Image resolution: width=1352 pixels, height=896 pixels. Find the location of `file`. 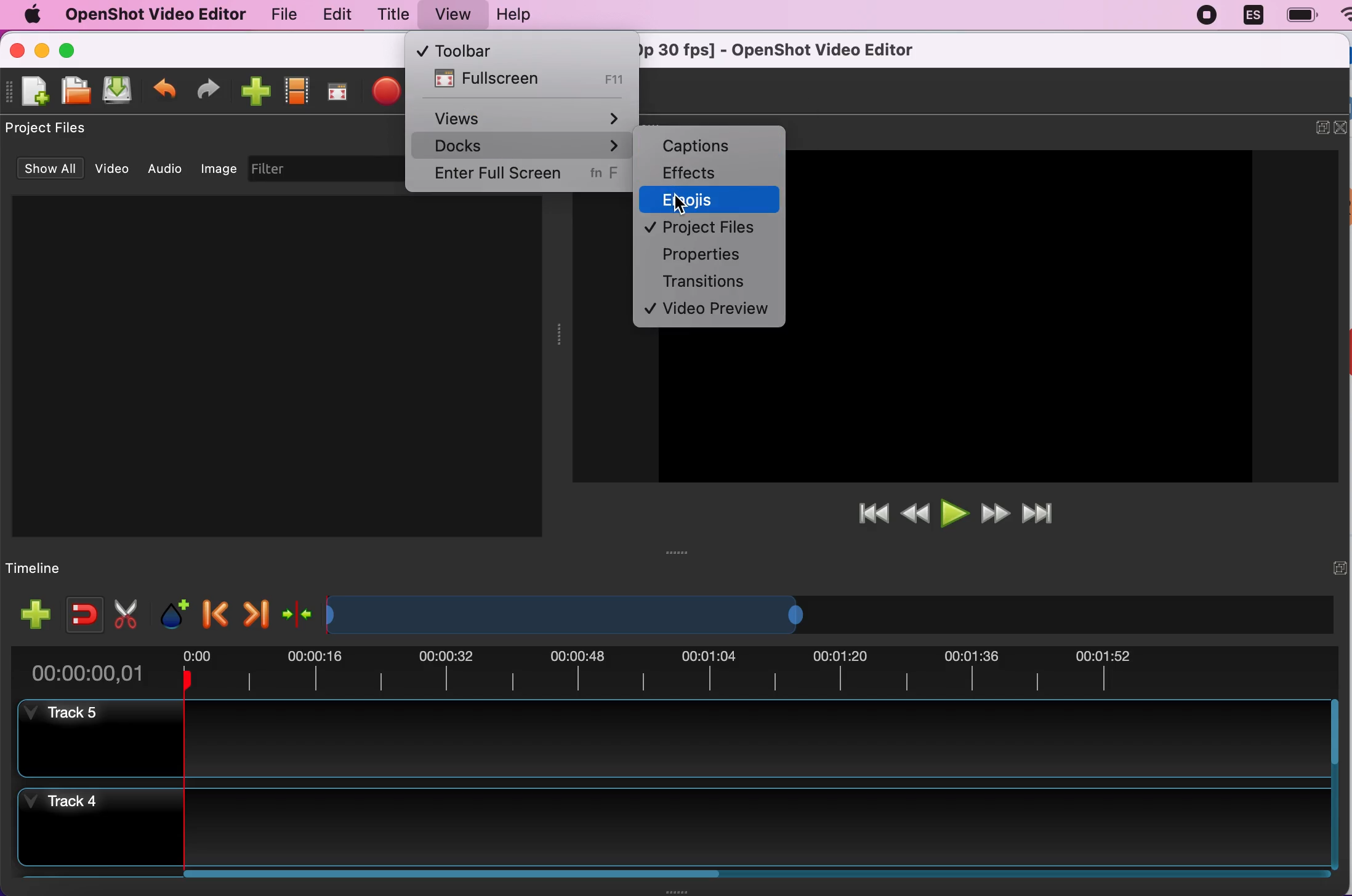

file is located at coordinates (278, 15).